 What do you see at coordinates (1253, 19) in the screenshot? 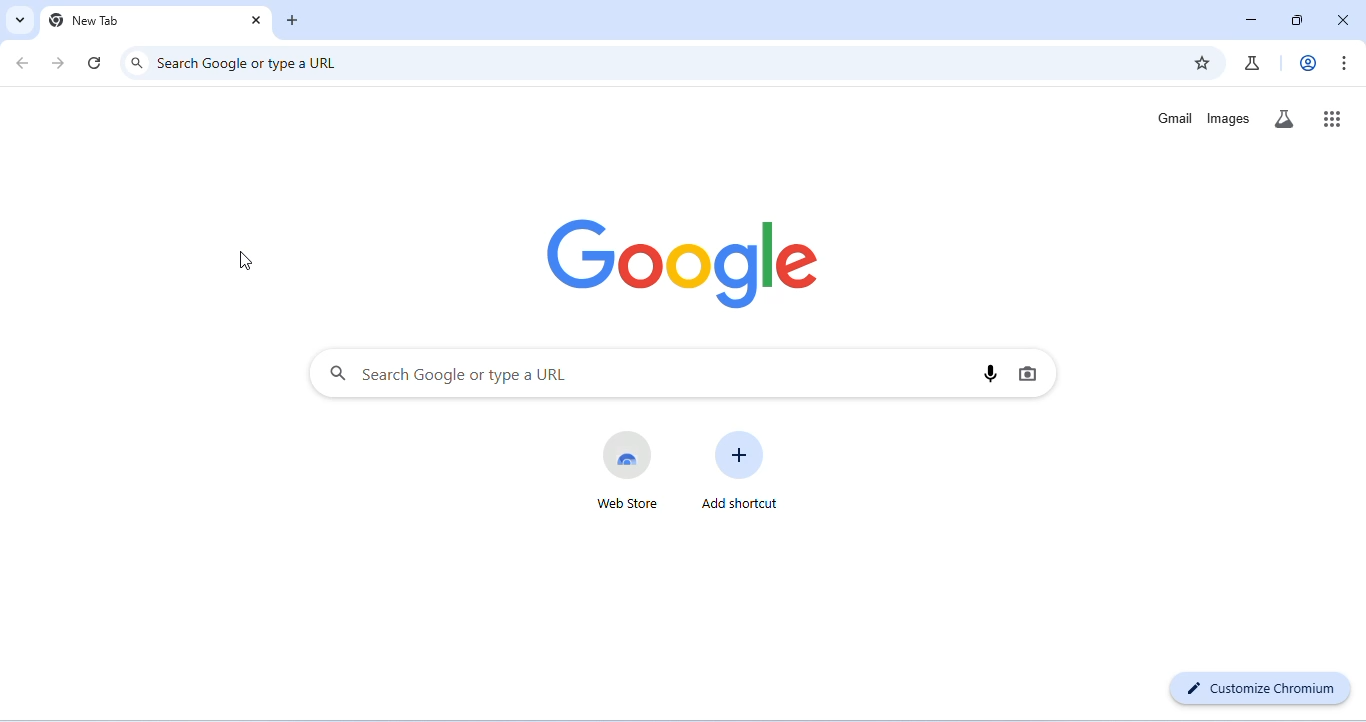
I see `minimize` at bounding box center [1253, 19].